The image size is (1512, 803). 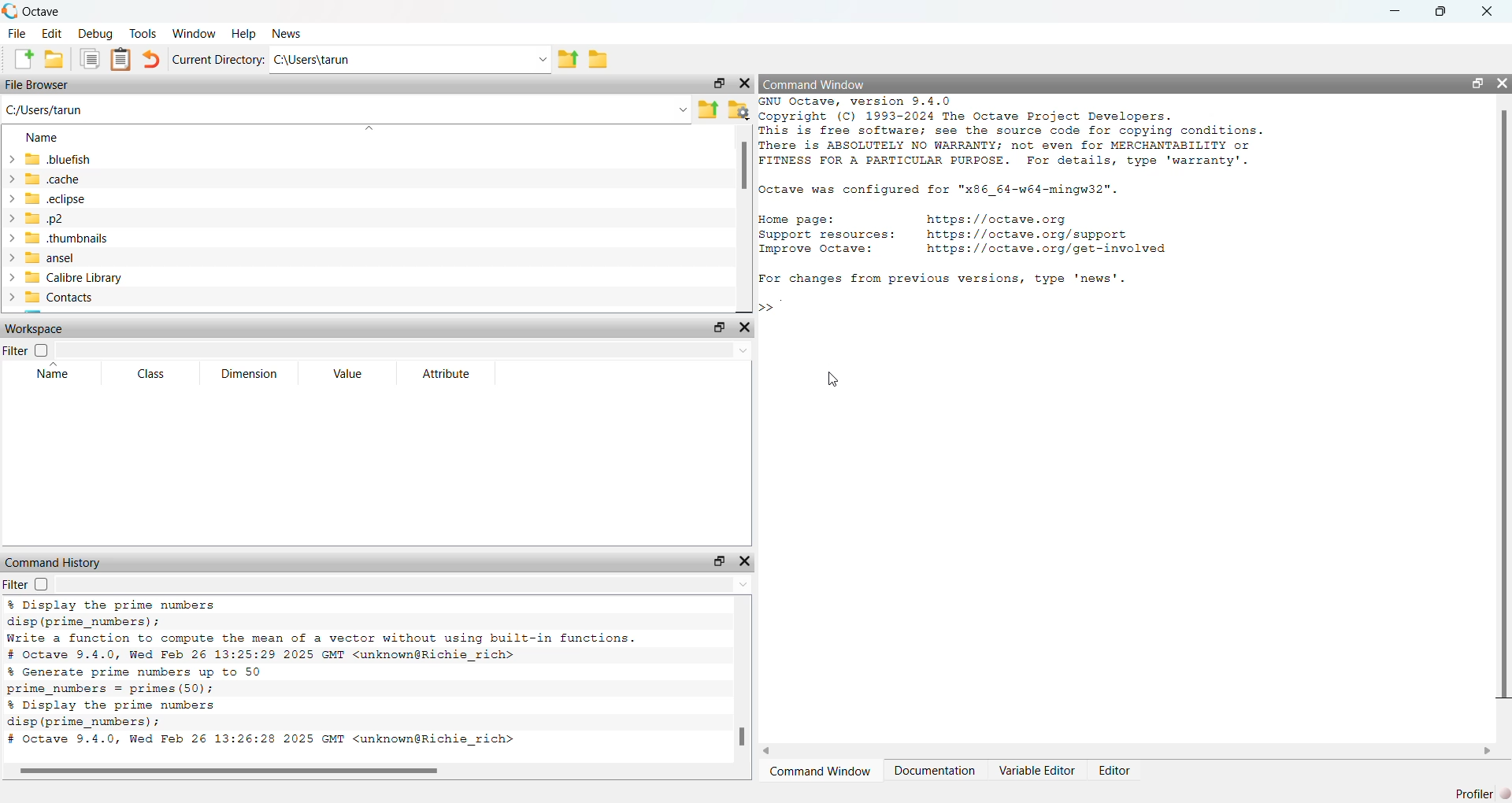 What do you see at coordinates (744, 165) in the screenshot?
I see `scroll bar` at bounding box center [744, 165].